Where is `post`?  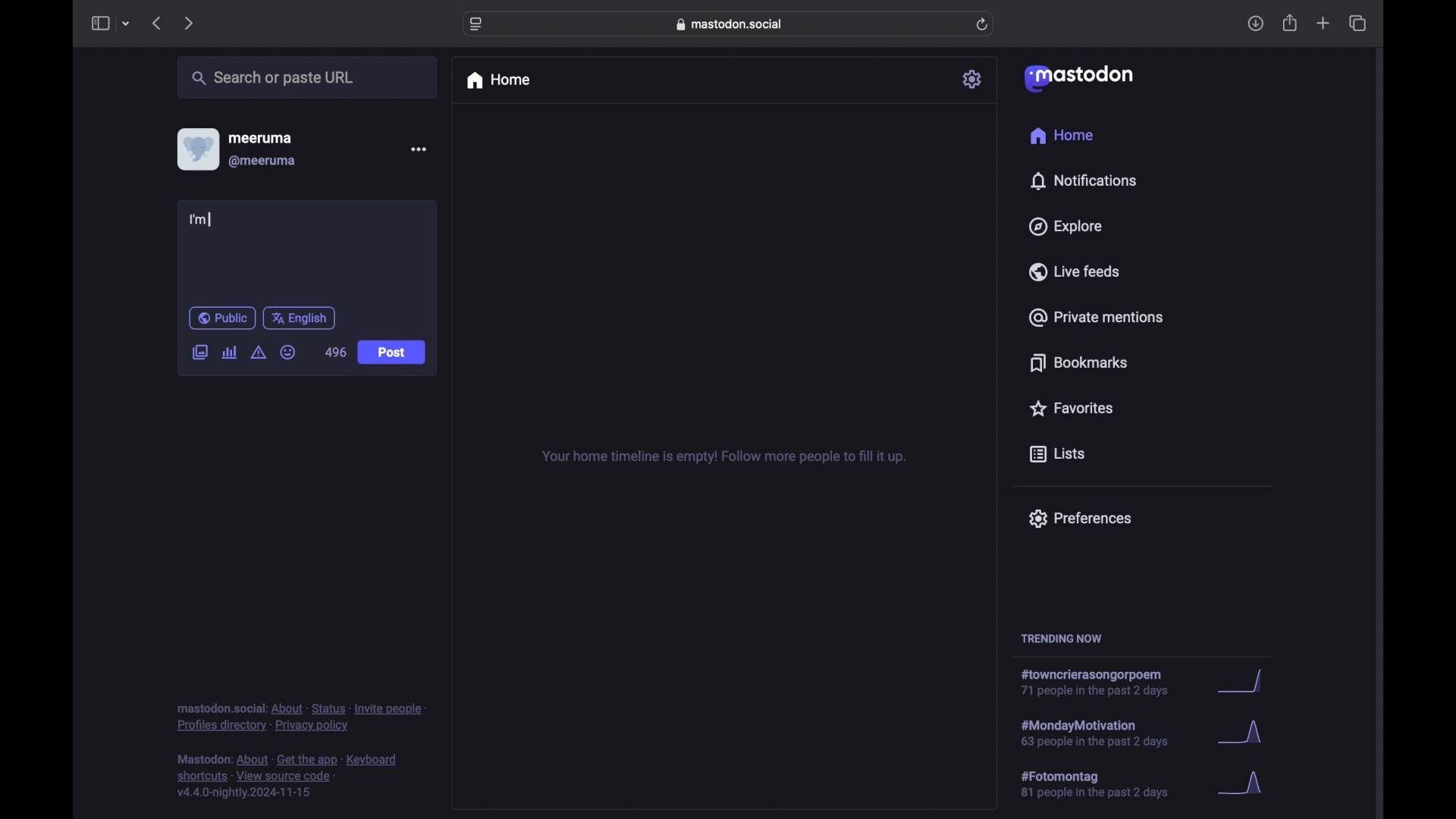 post is located at coordinates (391, 353).